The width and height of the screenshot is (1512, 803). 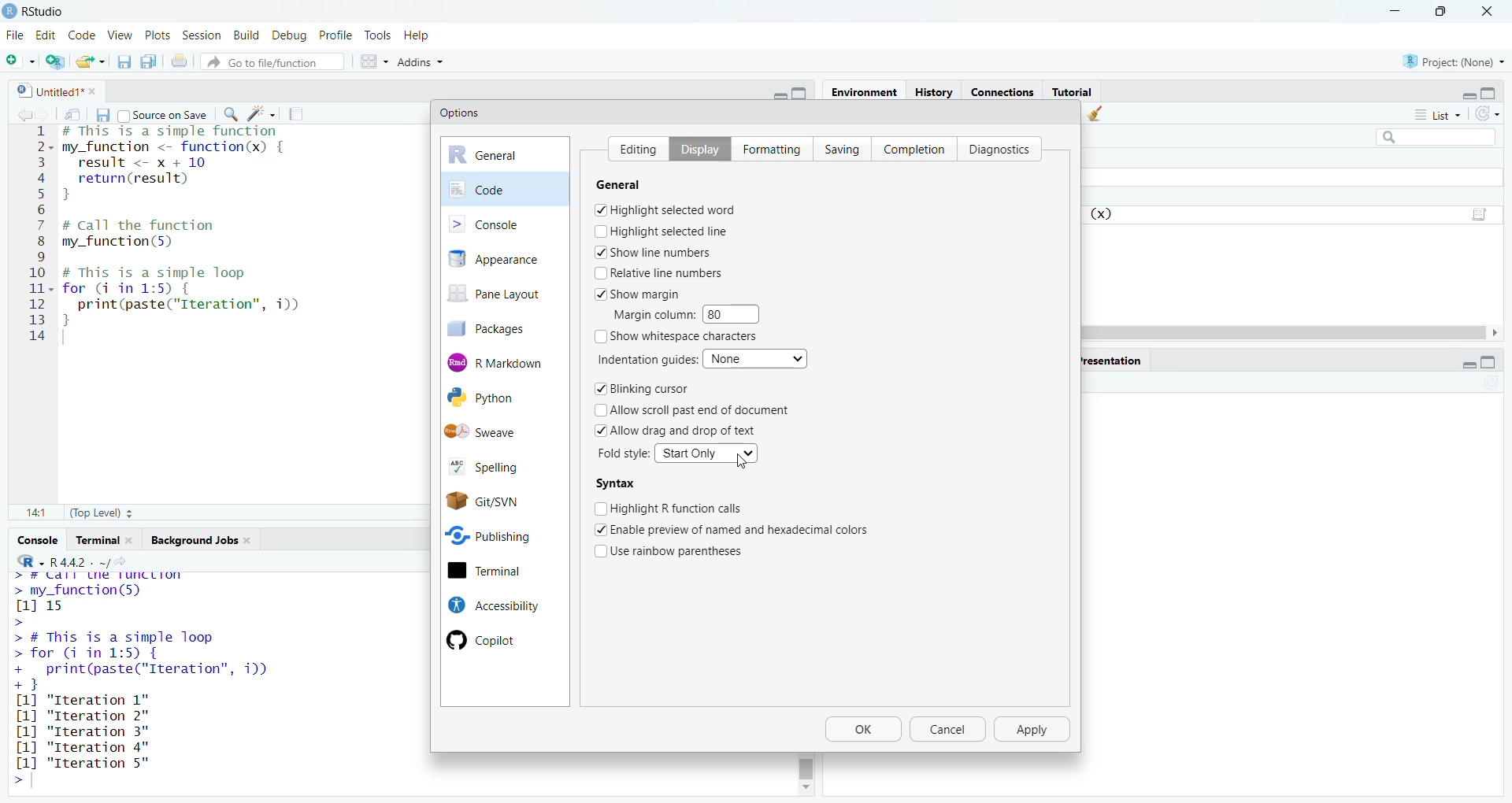 I want to click on close , so click(x=134, y=540).